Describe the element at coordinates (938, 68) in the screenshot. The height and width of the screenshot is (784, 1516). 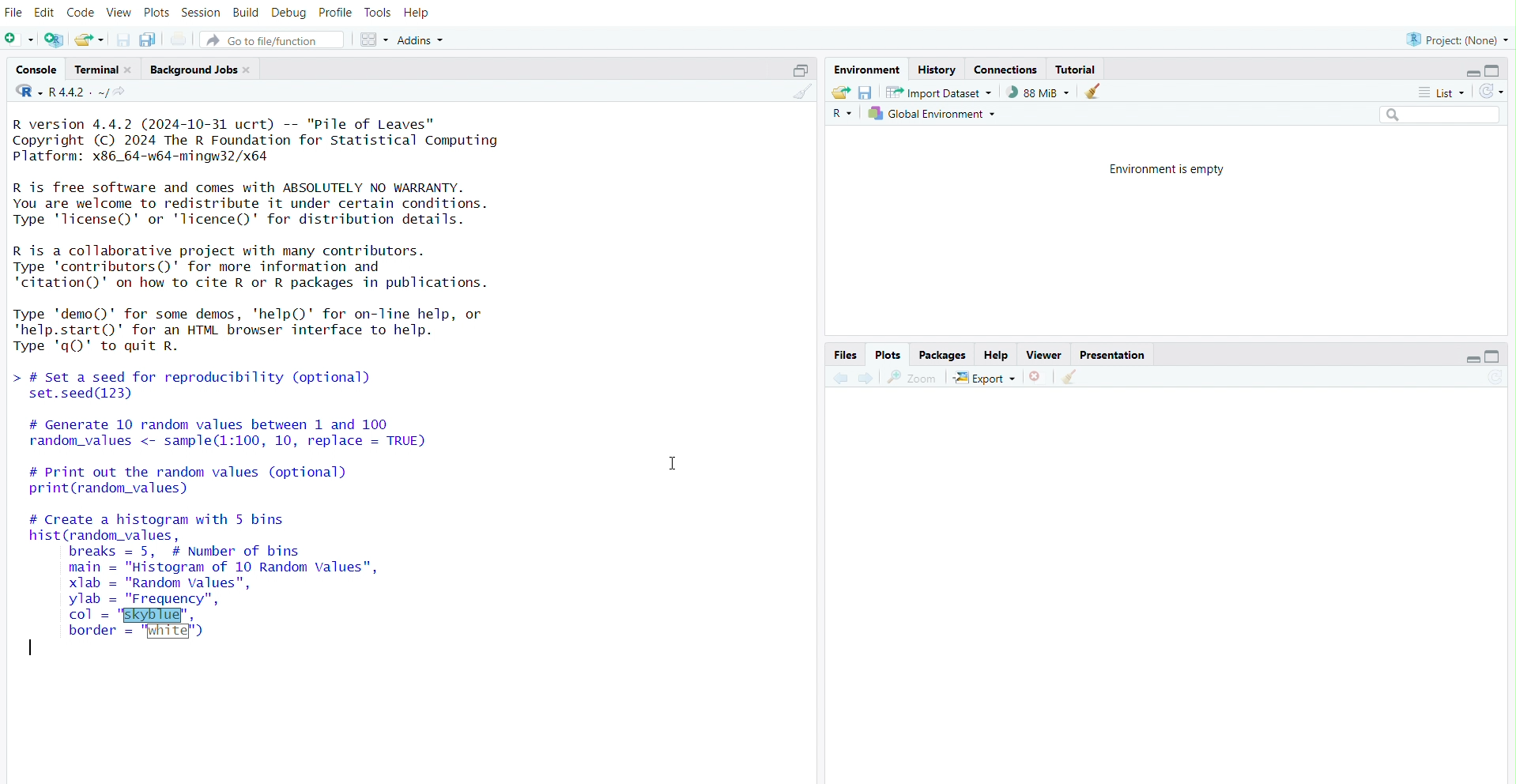
I see `history` at that location.